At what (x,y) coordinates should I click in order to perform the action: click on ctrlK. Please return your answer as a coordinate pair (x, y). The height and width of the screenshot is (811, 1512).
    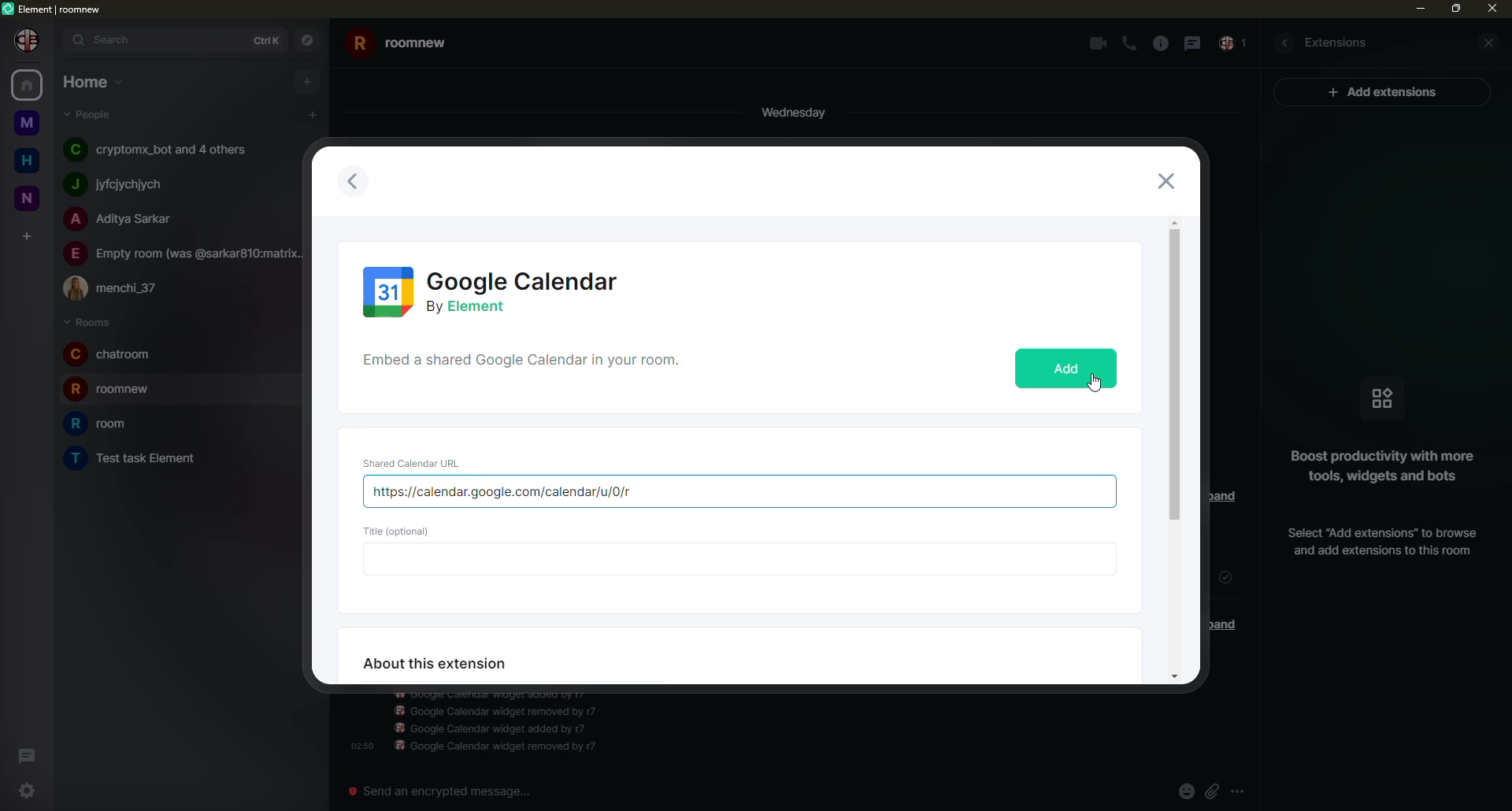
    Looking at the image, I should click on (267, 39).